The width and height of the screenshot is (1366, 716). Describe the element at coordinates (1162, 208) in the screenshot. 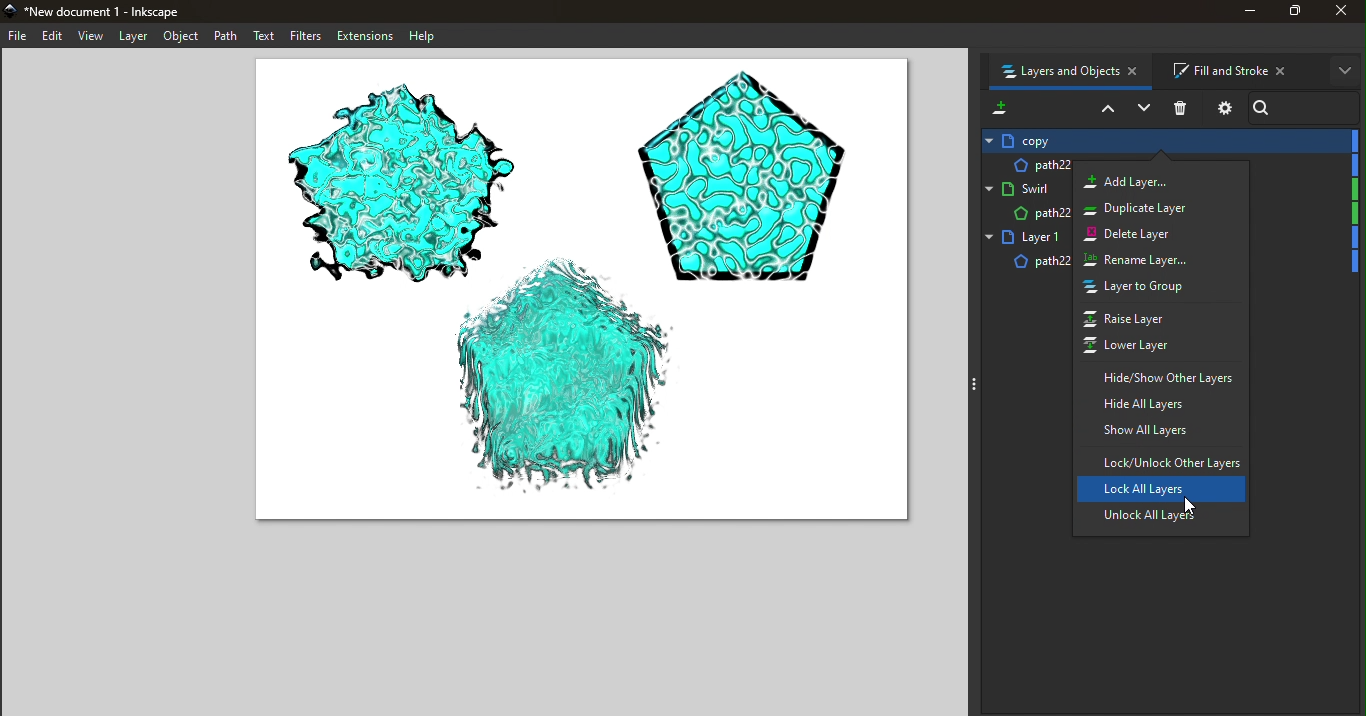

I see `Duplicate layer` at that location.